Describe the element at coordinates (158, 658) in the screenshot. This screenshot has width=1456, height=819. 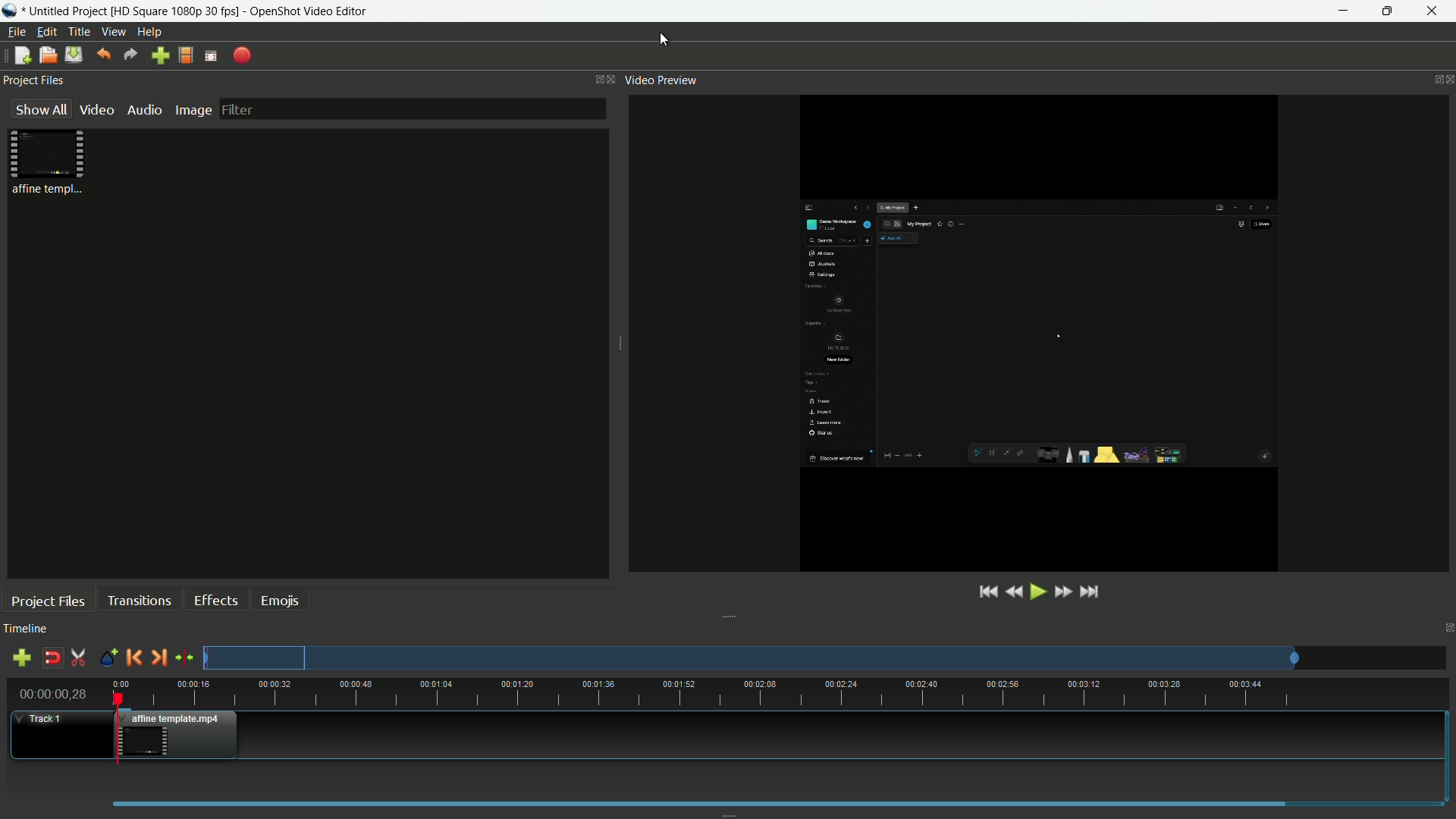
I see `next marker` at that location.